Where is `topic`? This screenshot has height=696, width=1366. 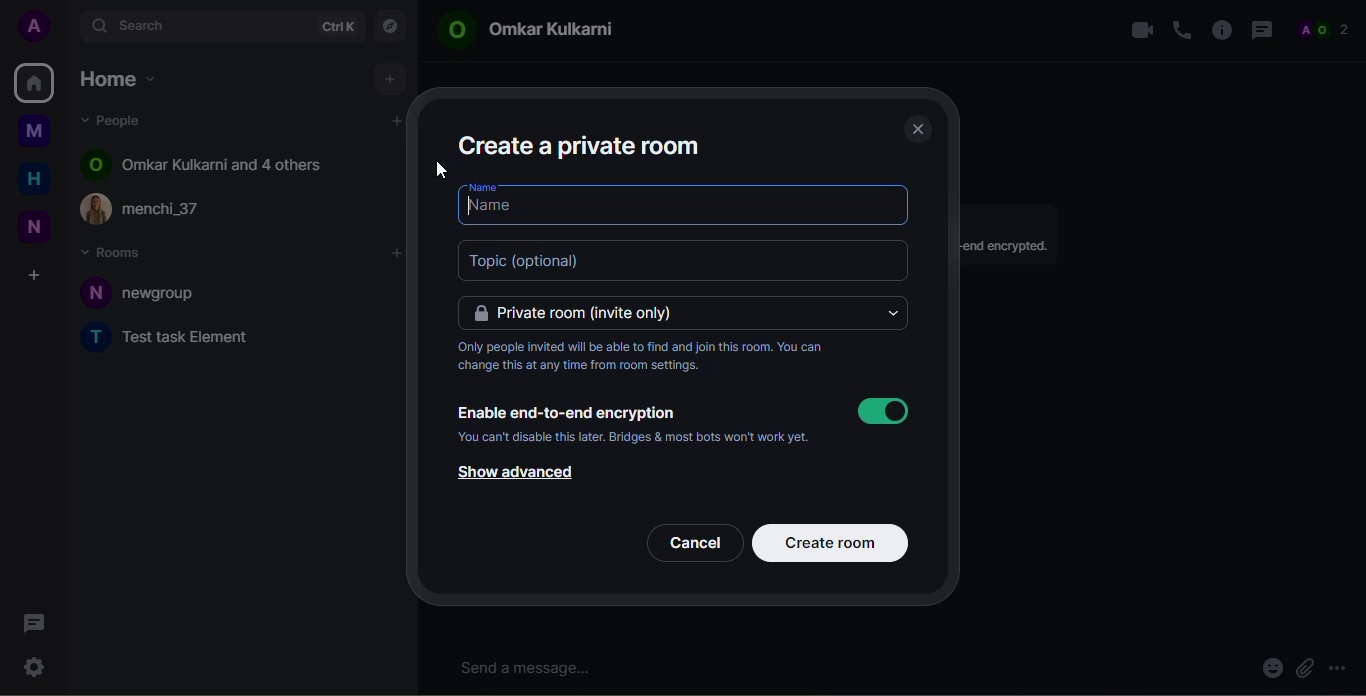
topic is located at coordinates (555, 260).